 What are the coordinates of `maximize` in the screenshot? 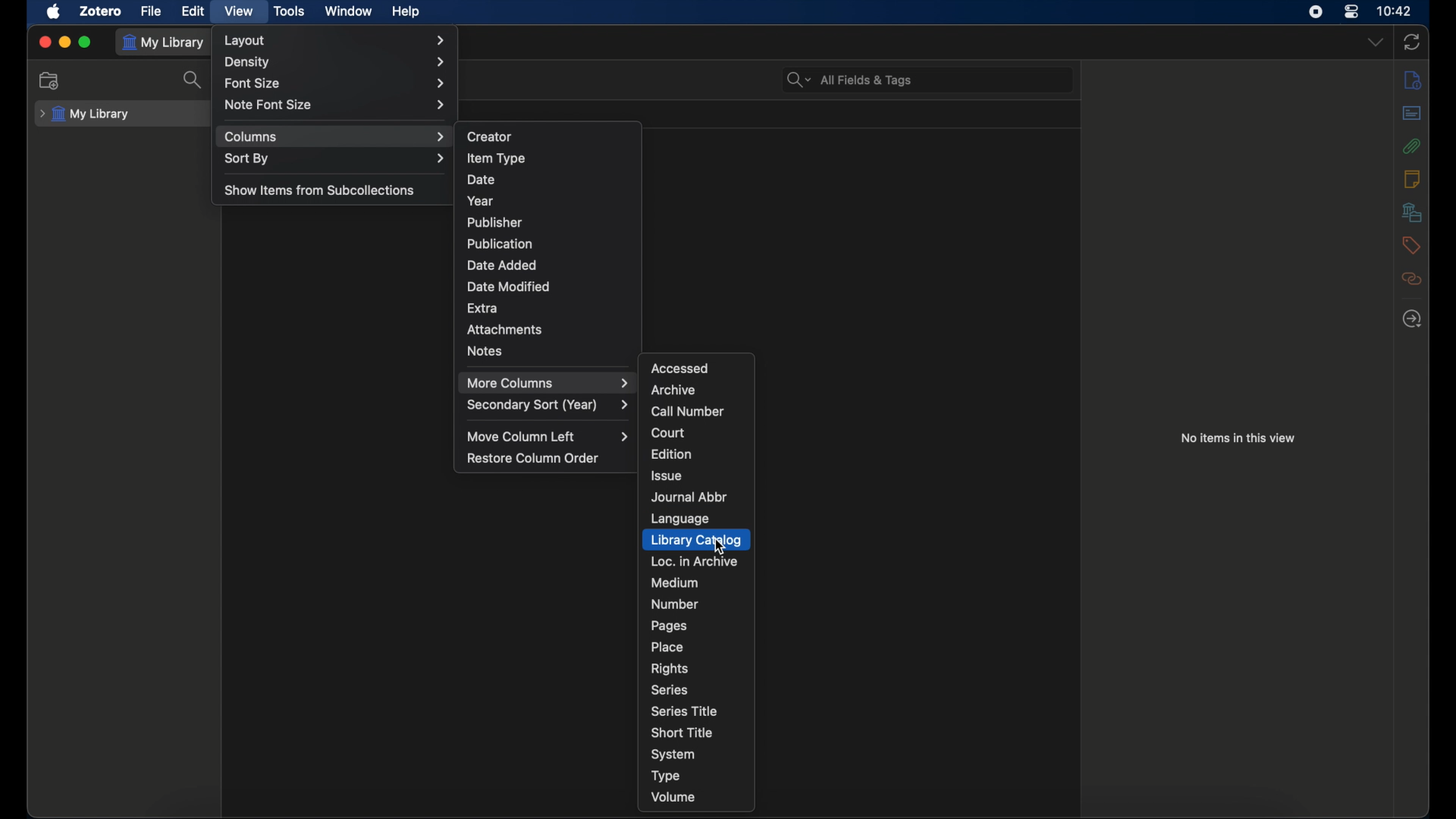 It's located at (85, 42).